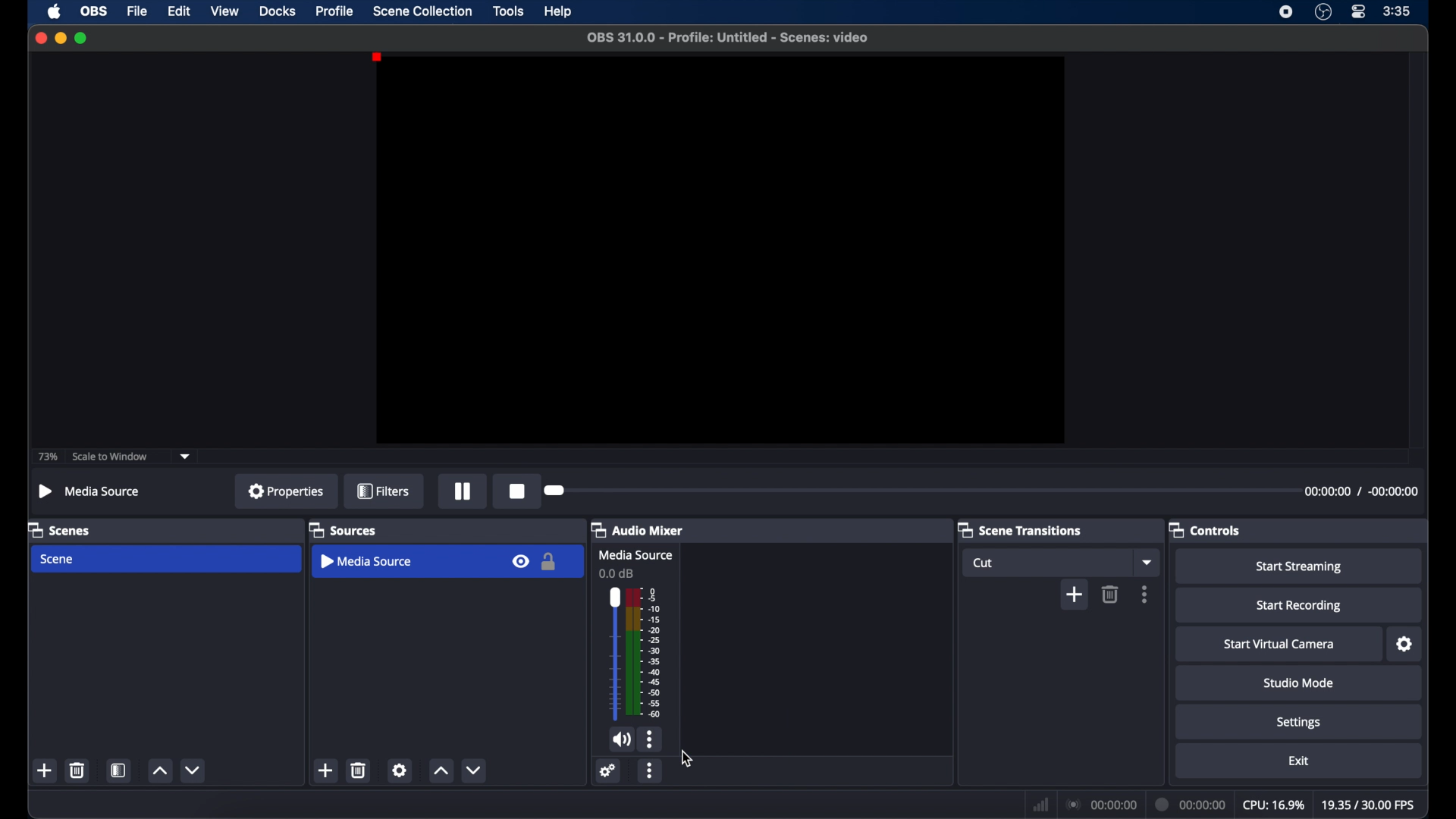 The image size is (1456, 819). Describe the element at coordinates (1286, 12) in the screenshot. I see `screen recording` at that location.